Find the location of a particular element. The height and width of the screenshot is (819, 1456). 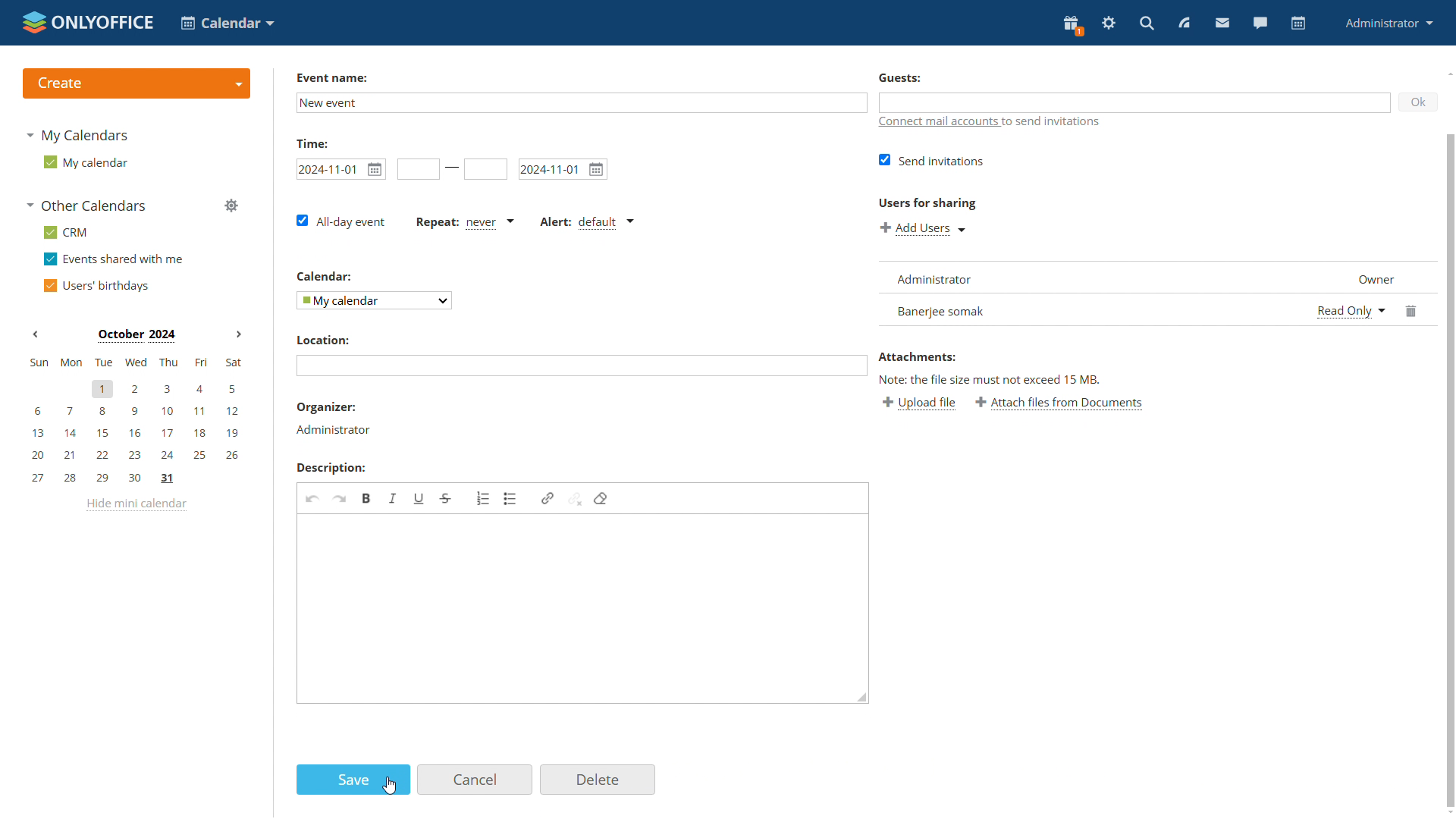

events shared with me is located at coordinates (116, 260).